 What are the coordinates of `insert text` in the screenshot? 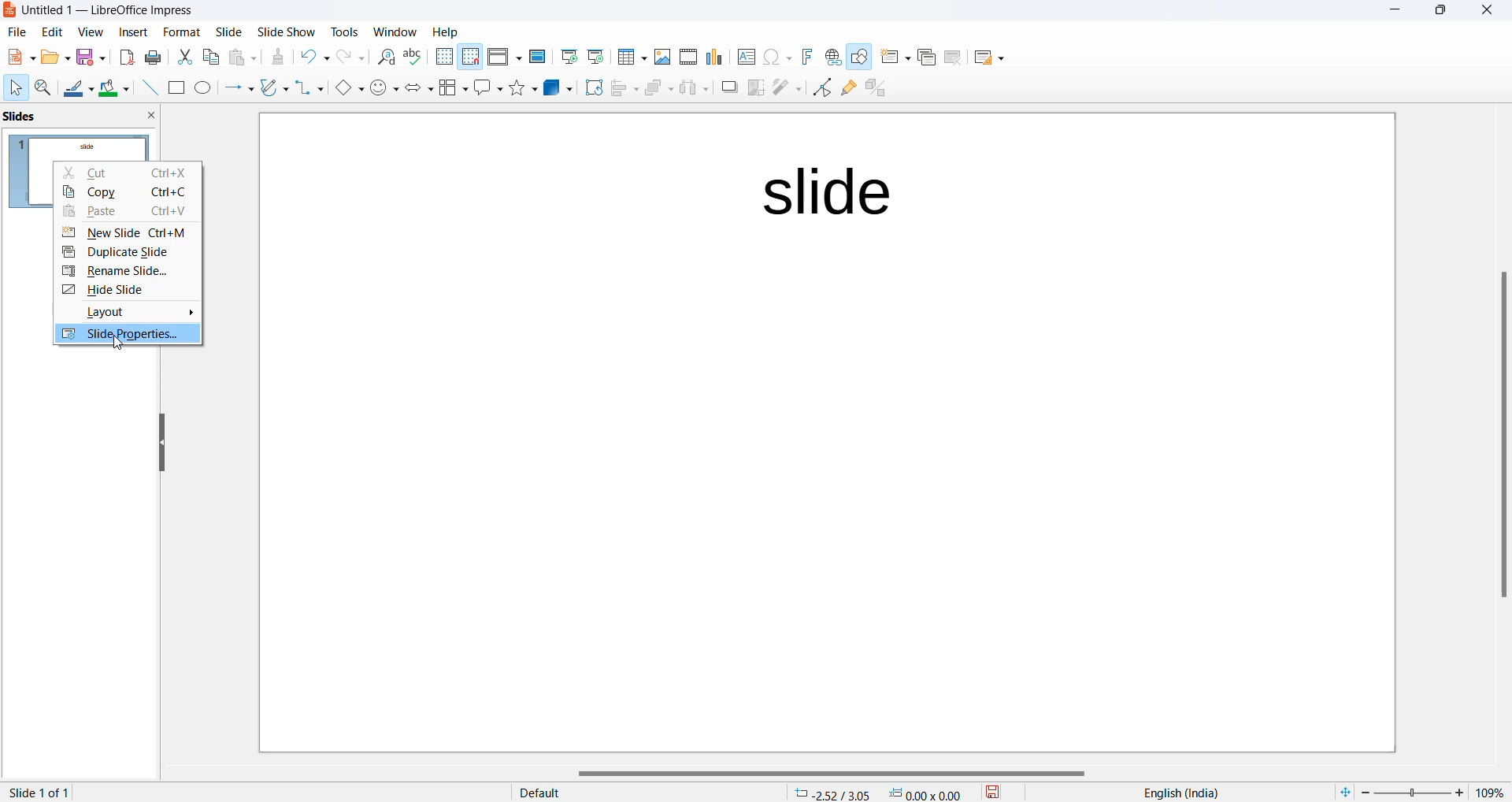 It's located at (745, 56).